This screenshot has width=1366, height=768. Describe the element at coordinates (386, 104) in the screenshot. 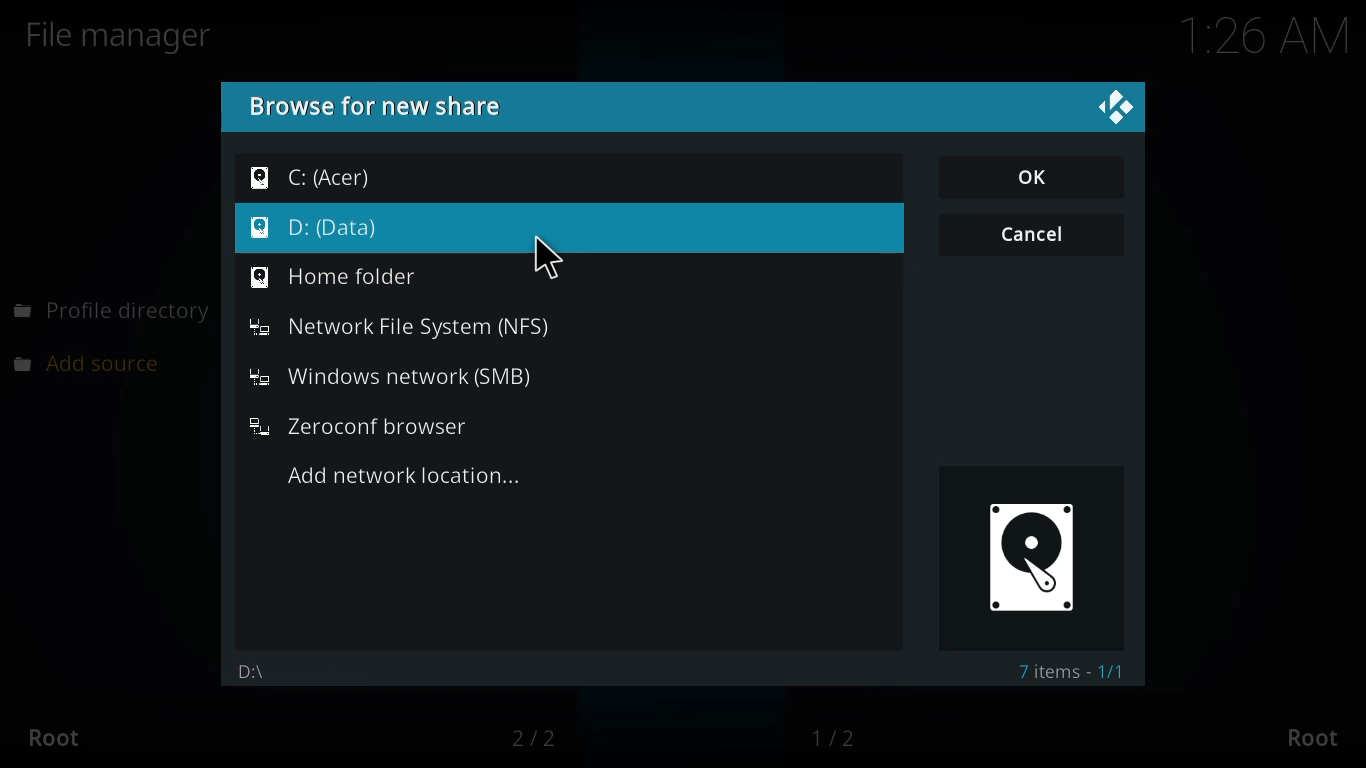

I see `browse` at that location.